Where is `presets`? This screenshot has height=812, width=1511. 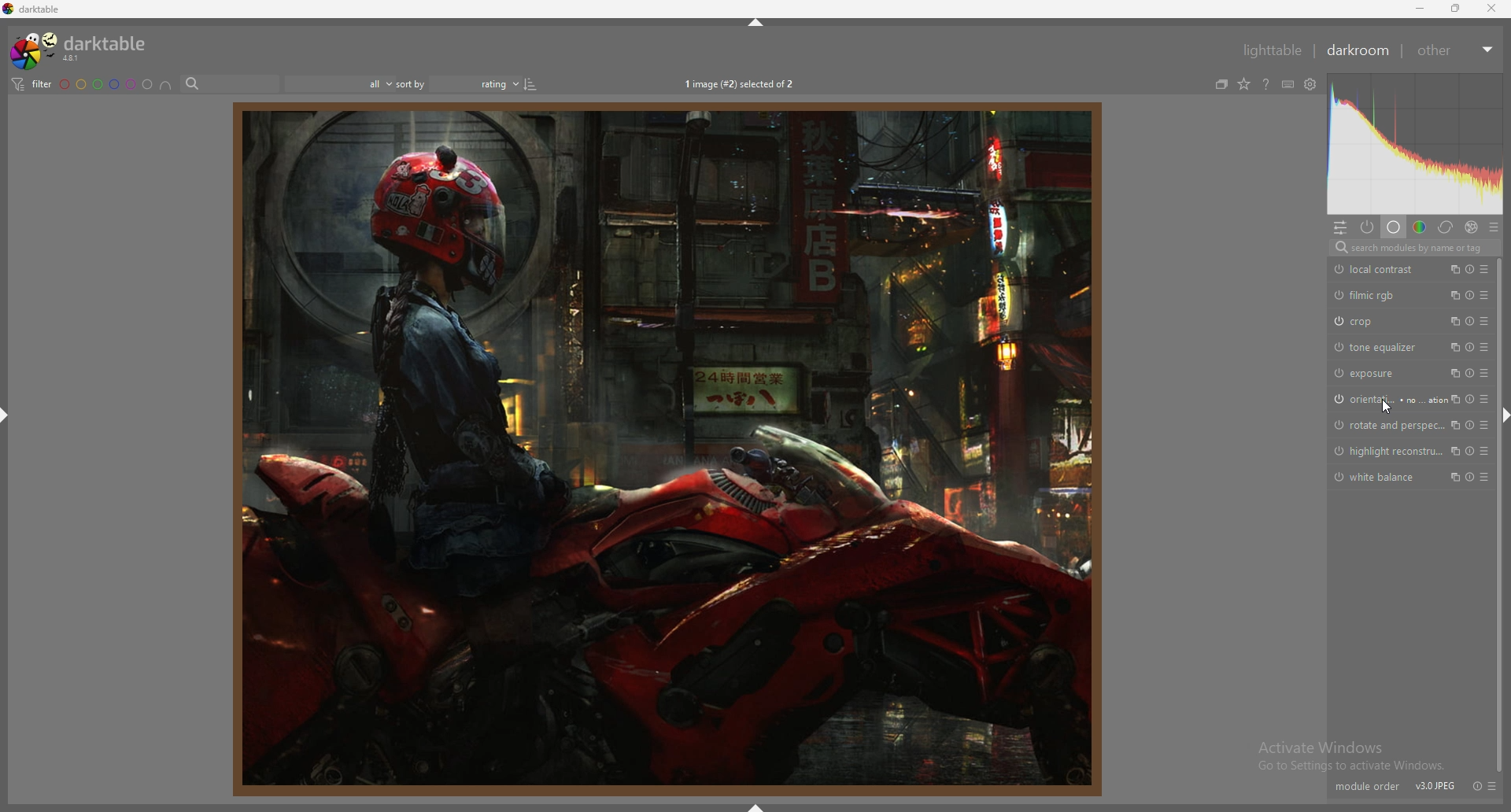 presets is located at coordinates (1487, 427).